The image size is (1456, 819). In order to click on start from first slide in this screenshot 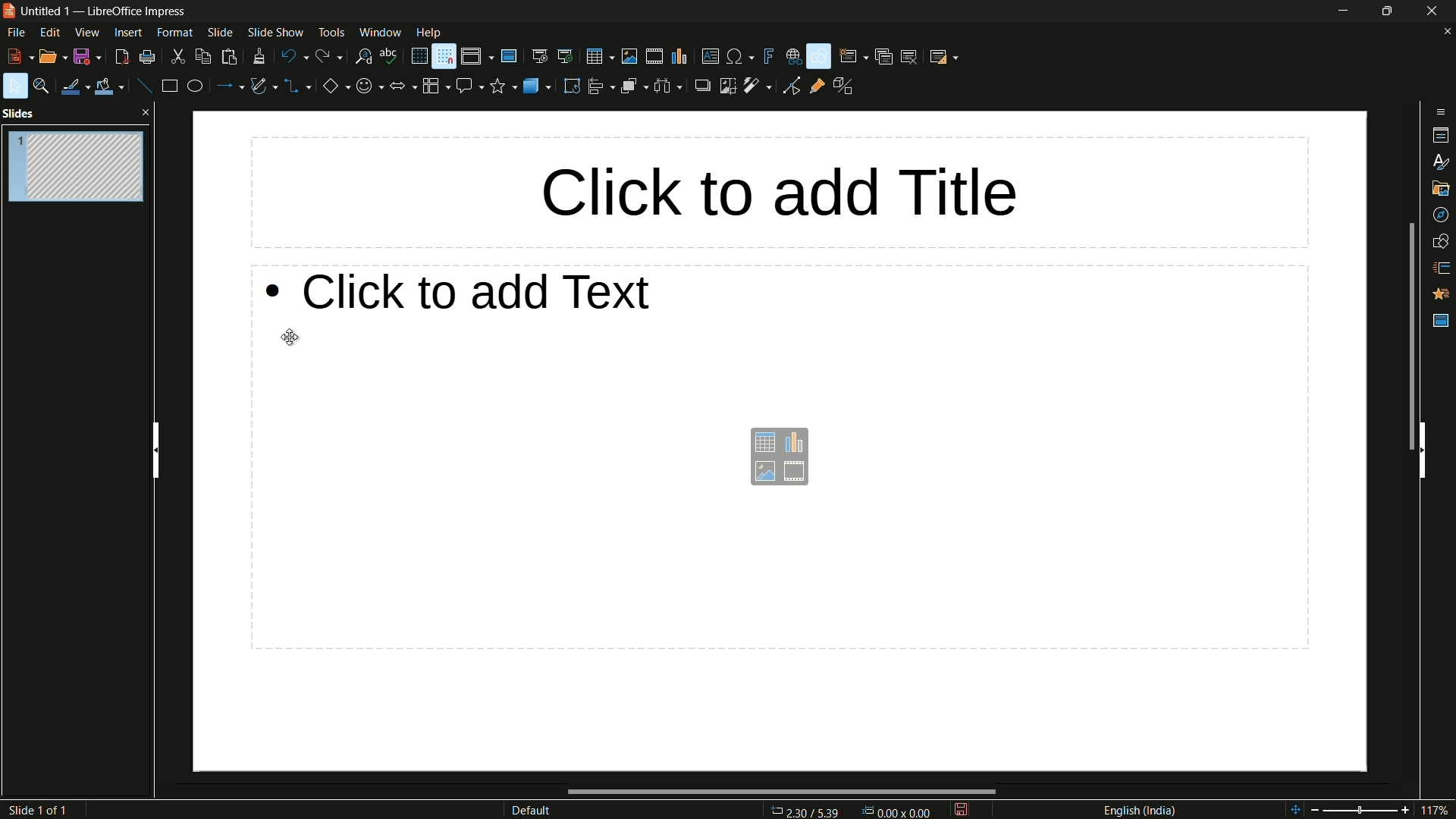, I will do `click(538, 56)`.